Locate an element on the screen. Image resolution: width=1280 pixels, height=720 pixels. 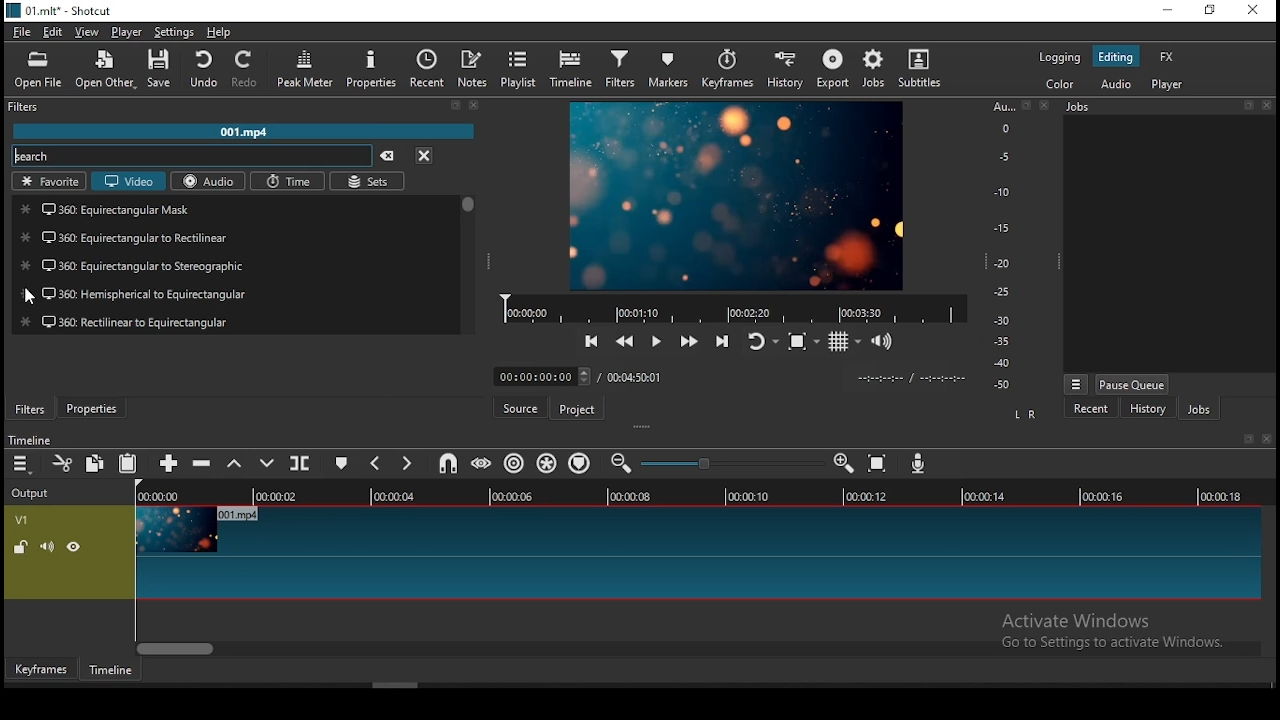
ripple all tracks is located at coordinates (551, 461).